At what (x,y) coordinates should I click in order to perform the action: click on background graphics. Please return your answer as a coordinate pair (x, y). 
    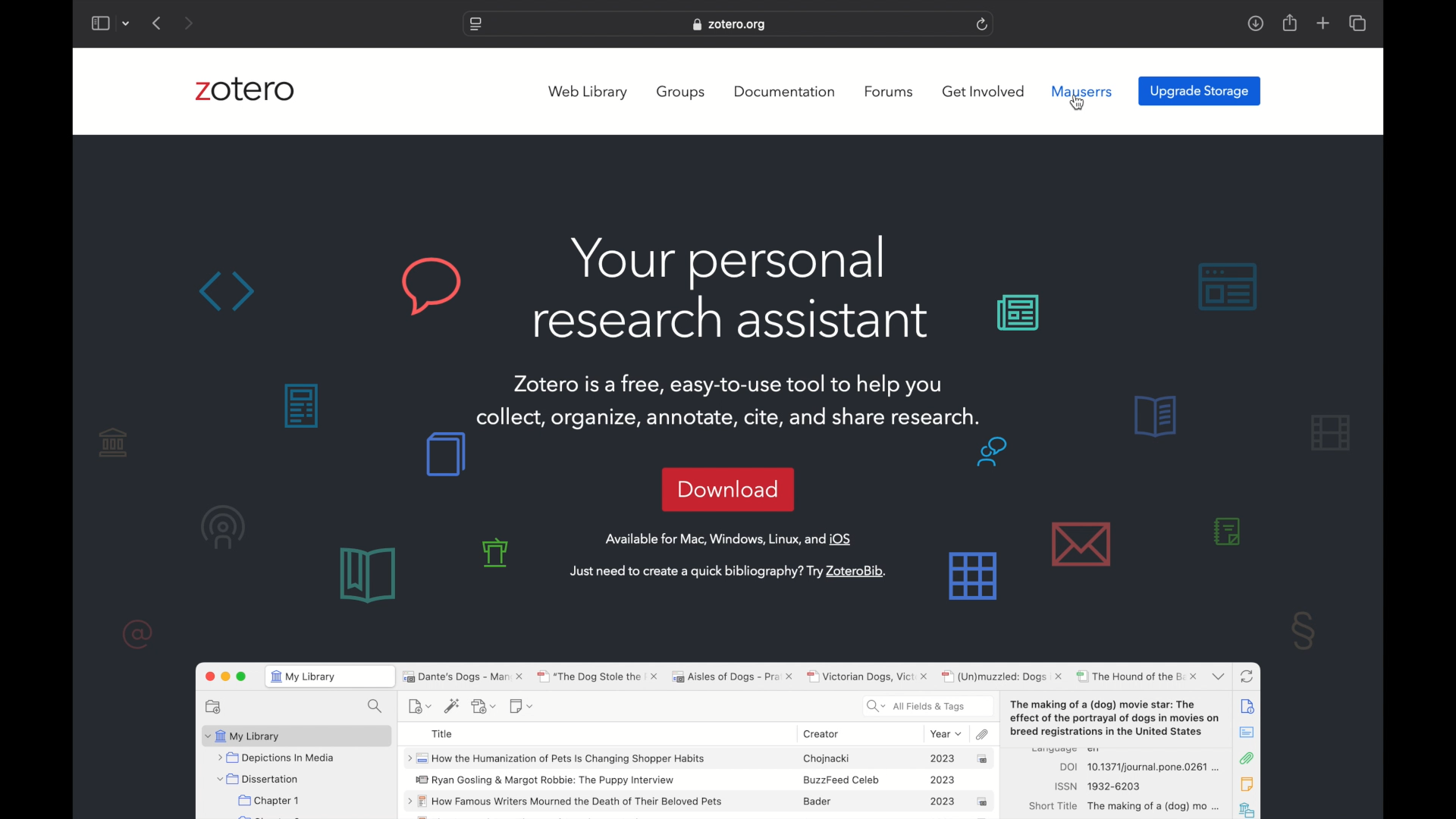
    Looking at the image, I should click on (170, 535).